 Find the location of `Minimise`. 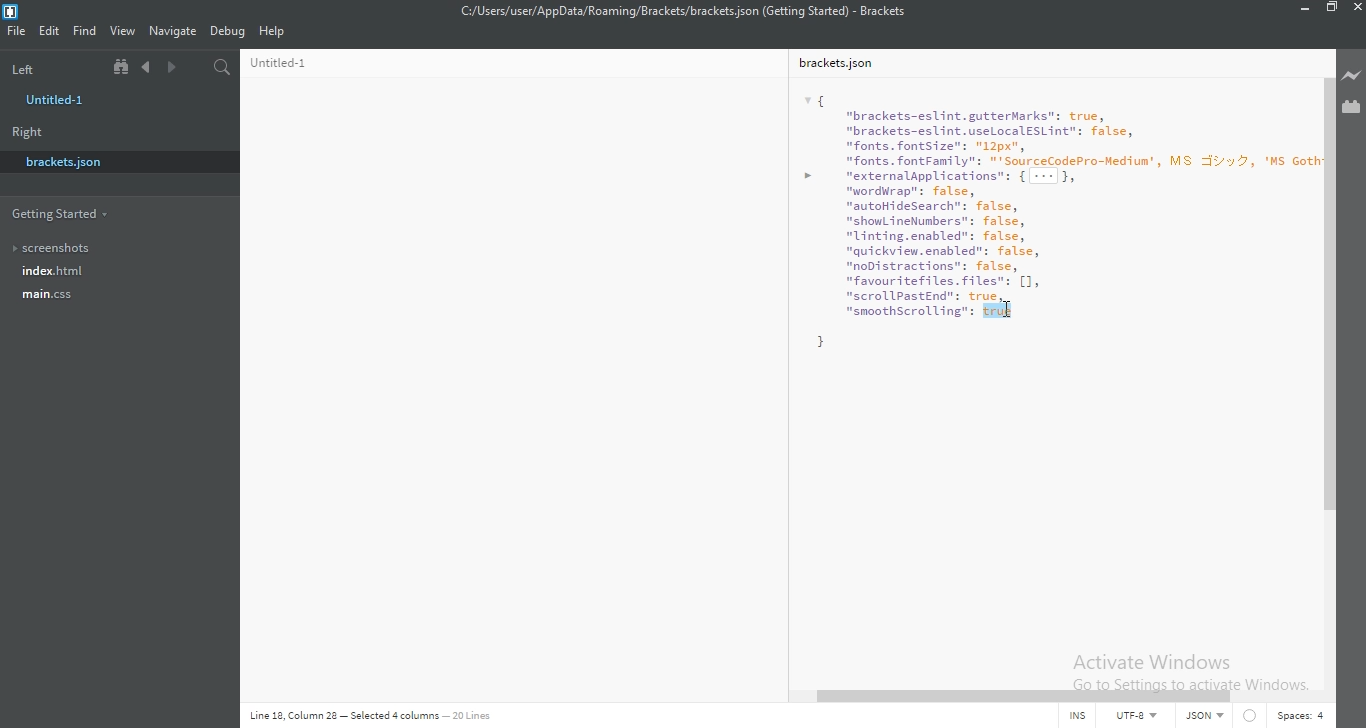

Minimise is located at coordinates (1303, 10).